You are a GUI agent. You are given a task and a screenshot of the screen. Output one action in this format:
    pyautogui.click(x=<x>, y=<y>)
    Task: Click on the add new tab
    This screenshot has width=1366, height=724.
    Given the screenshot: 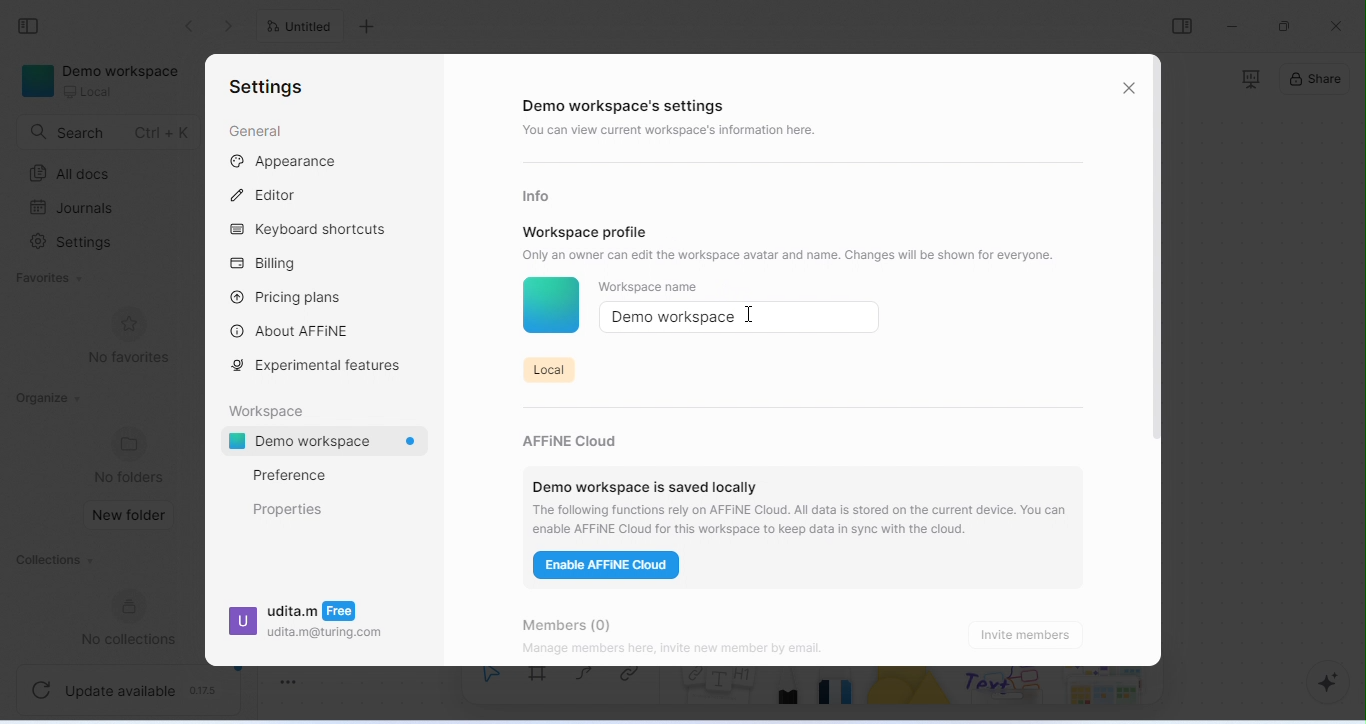 What is the action you would take?
    pyautogui.click(x=369, y=27)
    